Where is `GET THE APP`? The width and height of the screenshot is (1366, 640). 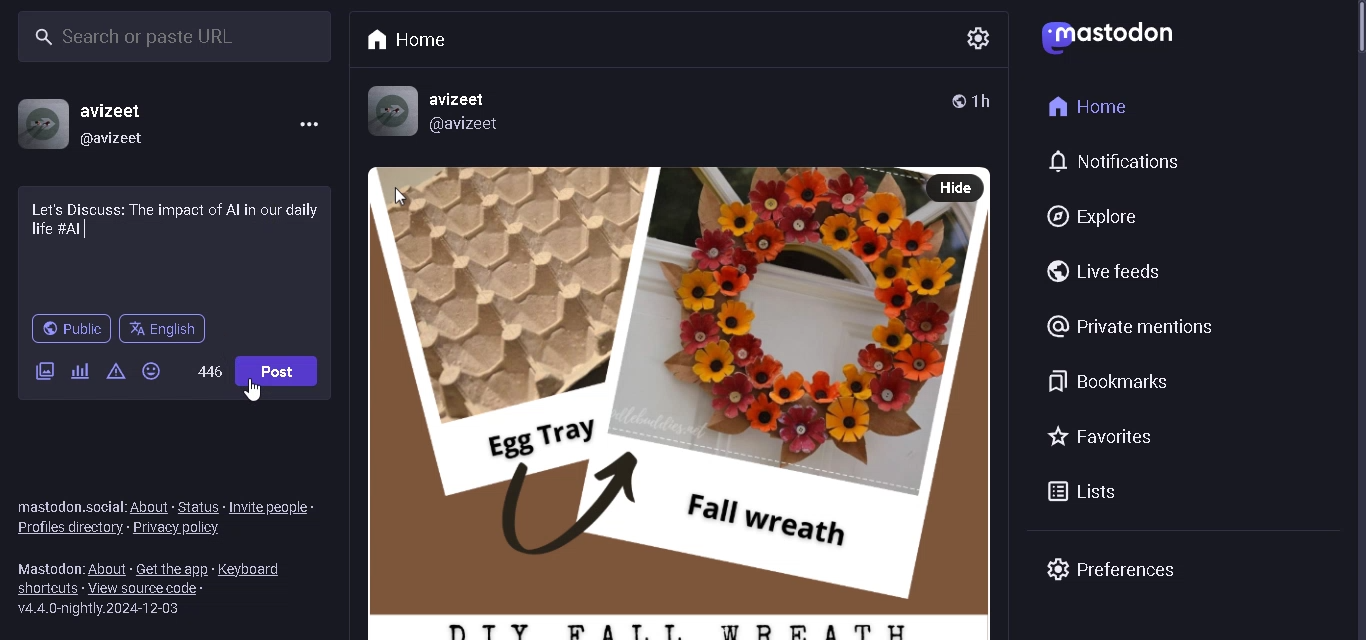 GET THE APP is located at coordinates (172, 569).